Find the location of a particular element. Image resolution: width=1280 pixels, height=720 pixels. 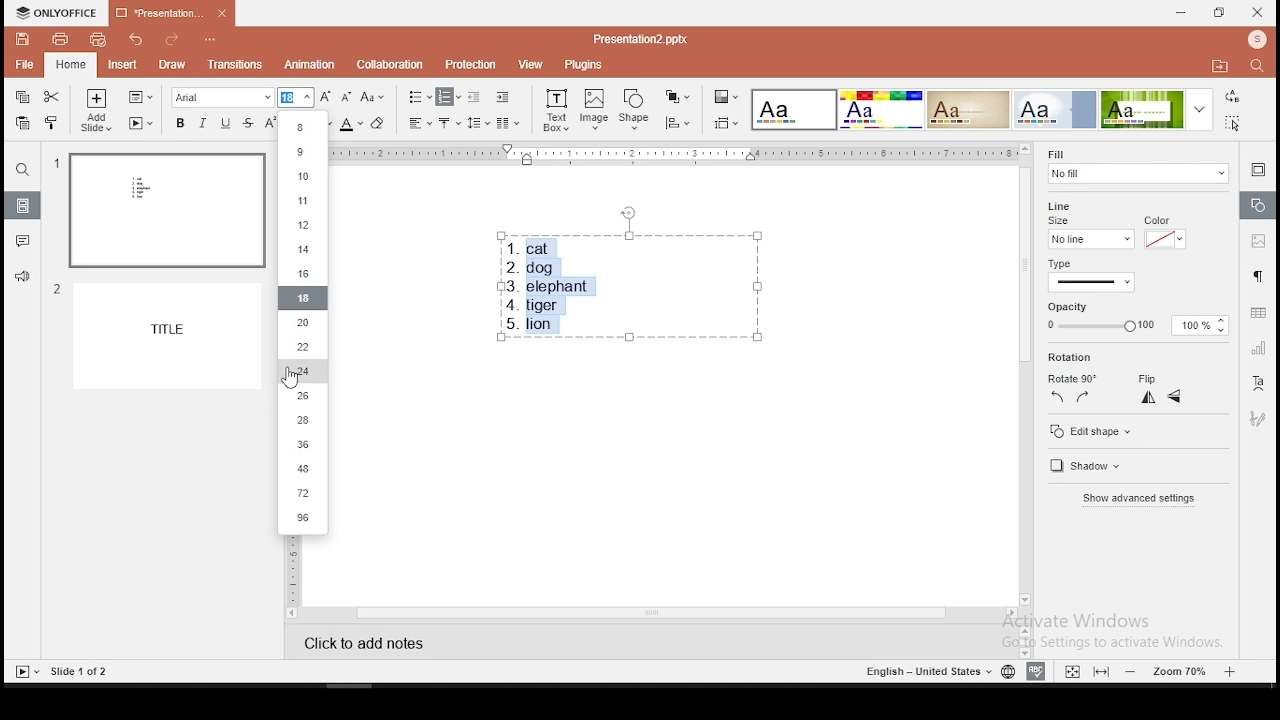

change case is located at coordinates (373, 97).